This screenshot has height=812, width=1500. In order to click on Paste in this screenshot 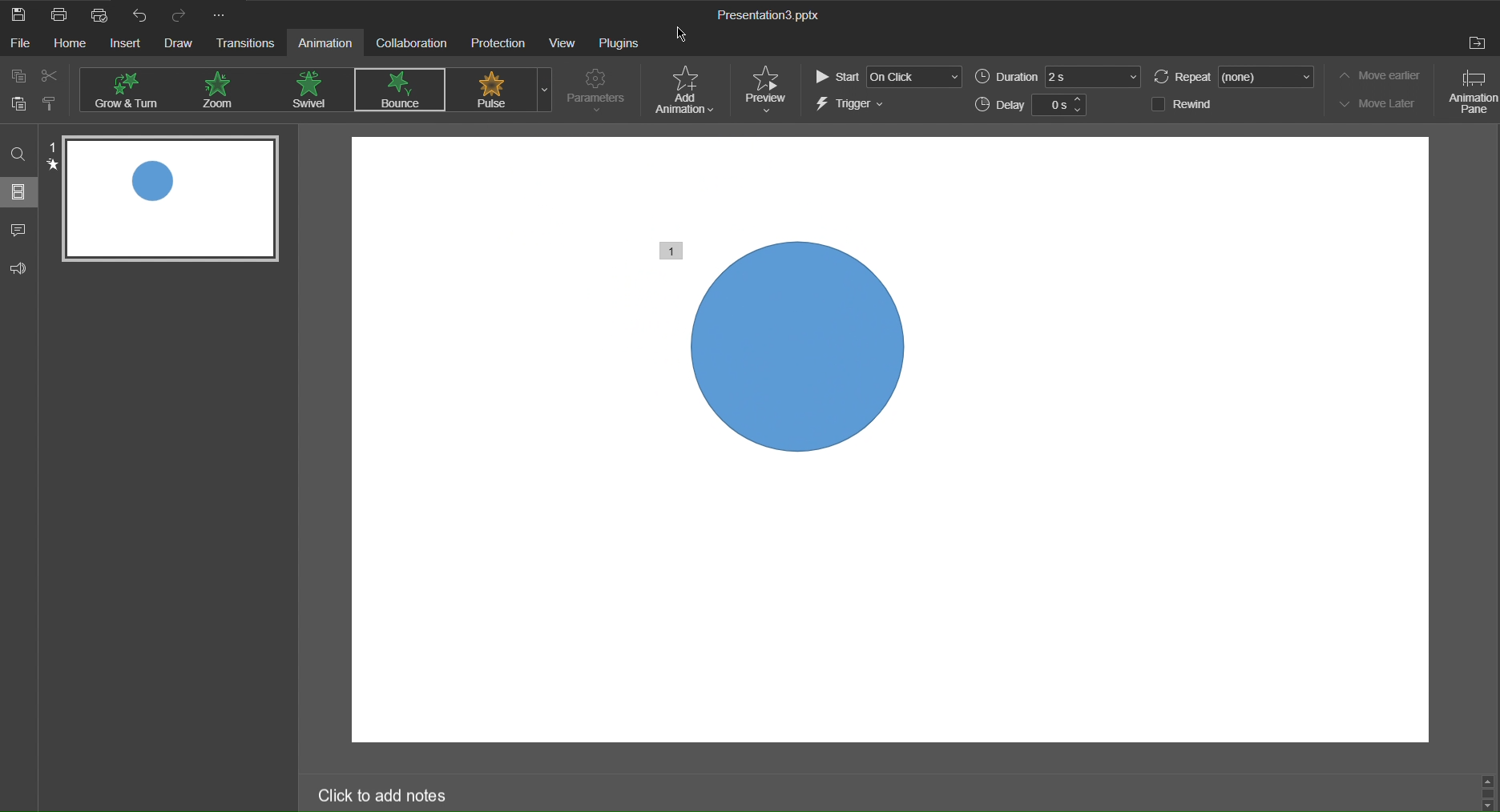, I will do `click(18, 107)`.